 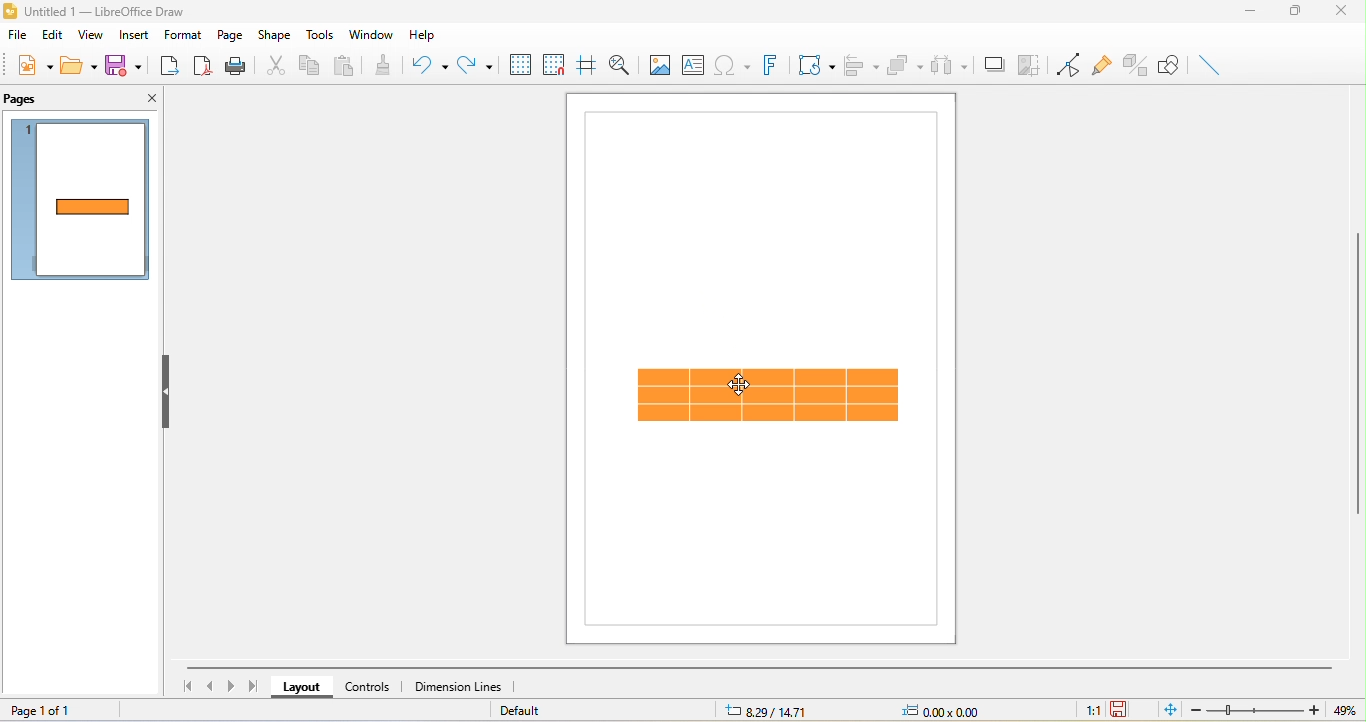 What do you see at coordinates (94, 10) in the screenshot?
I see `Untitled 1 — LibreOffice Draw` at bounding box center [94, 10].